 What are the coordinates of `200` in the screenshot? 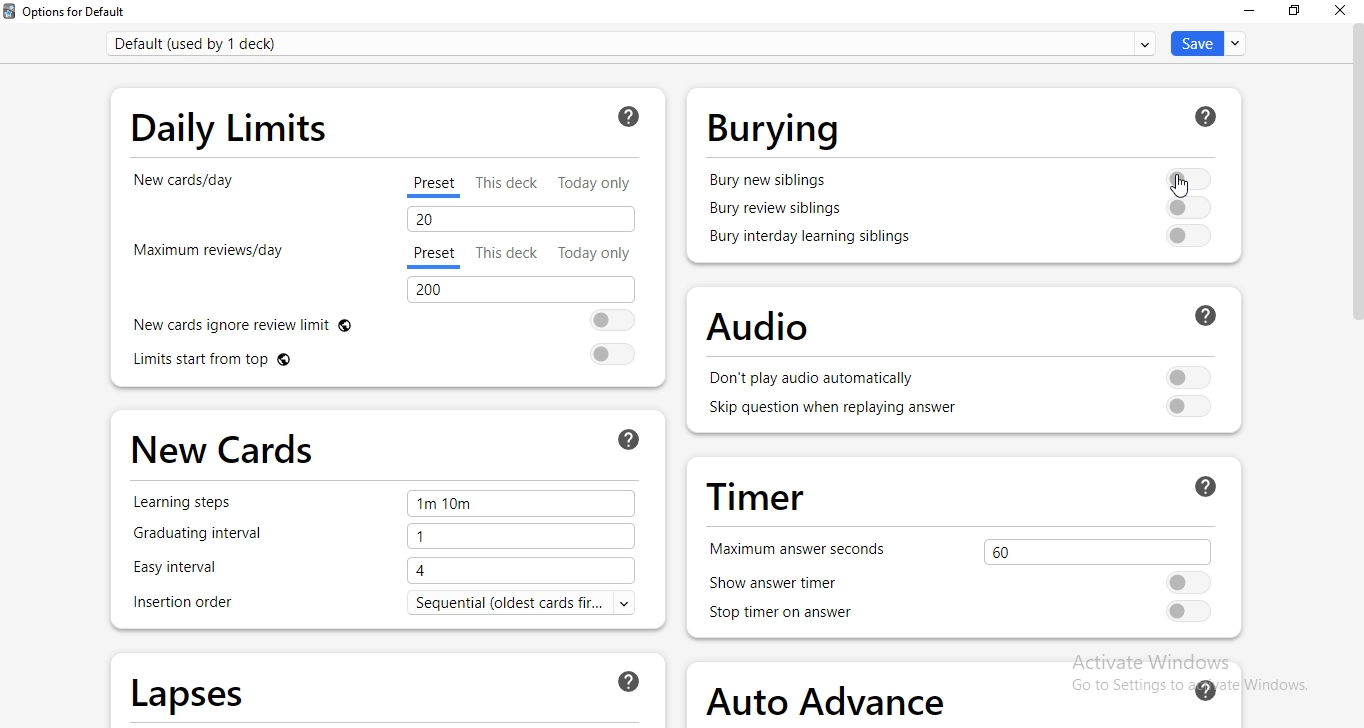 It's located at (519, 291).